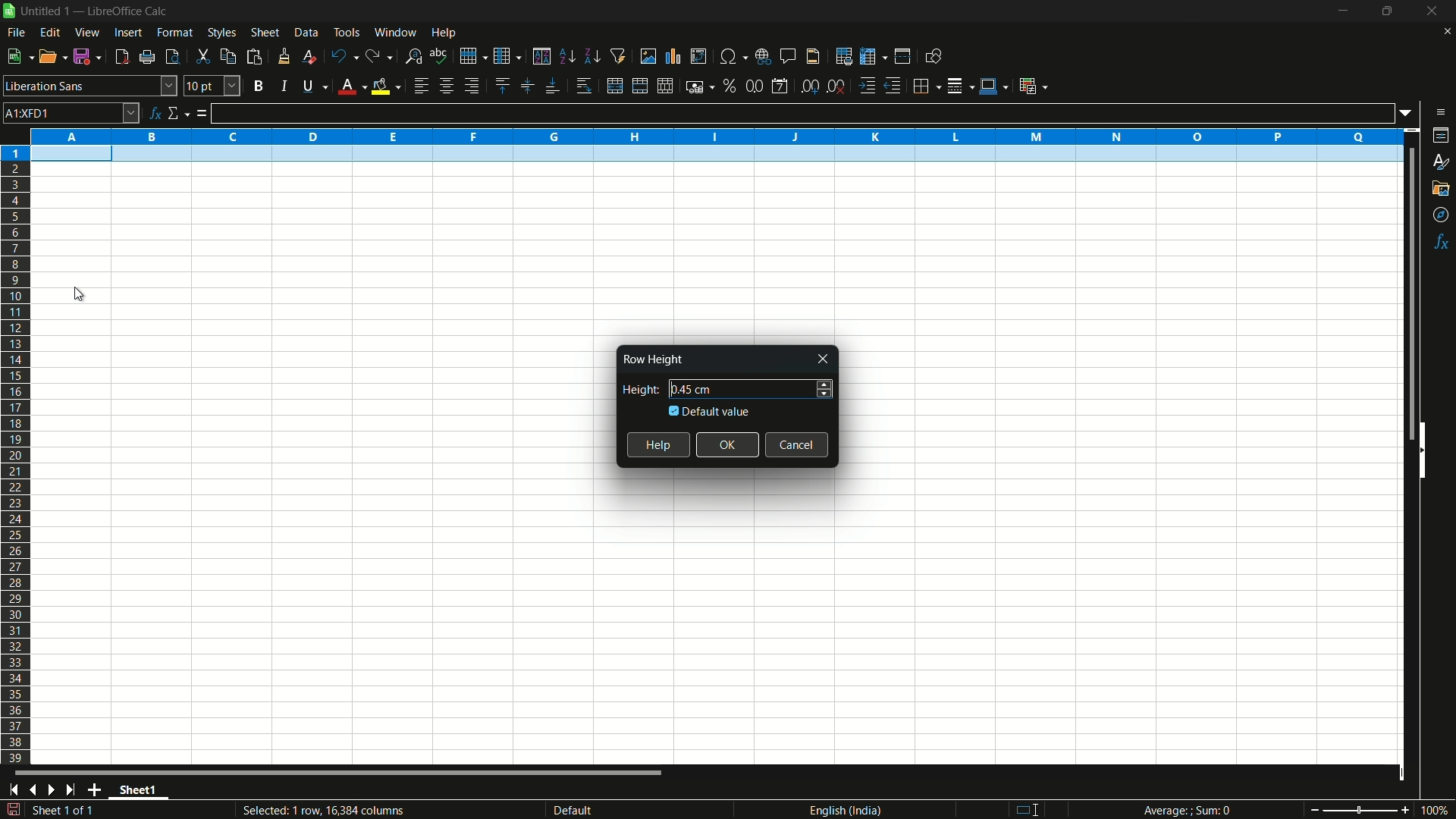 The image size is (1456, 819). Describe the element at coordinates (658, 445) in the screenshot. I see `help` at that location.